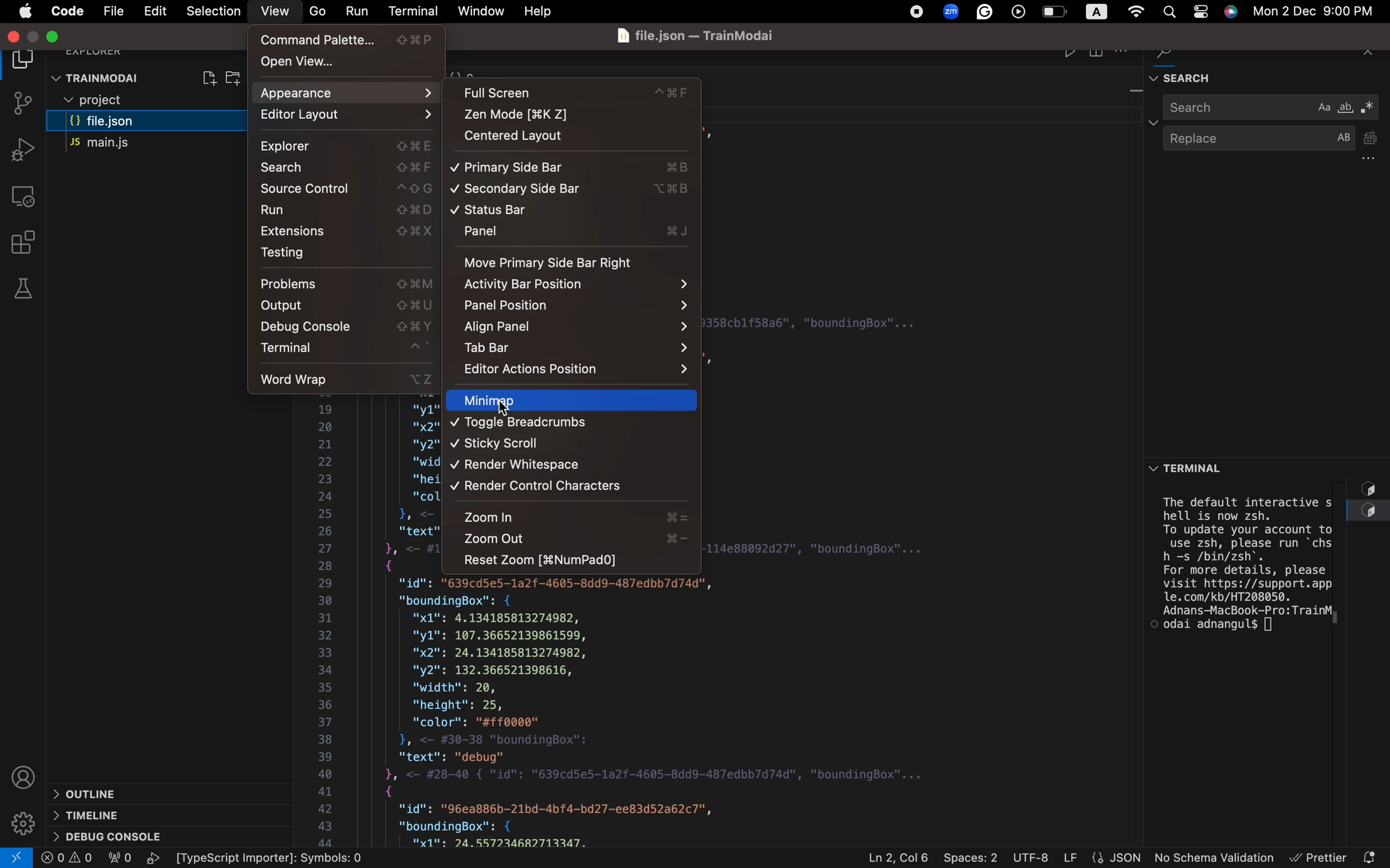 The width and height of the screenshot is (1390, 868). What do you see at coordinates (154, 12) in the screenshot?
I see `` at bounding box center [154, 12].